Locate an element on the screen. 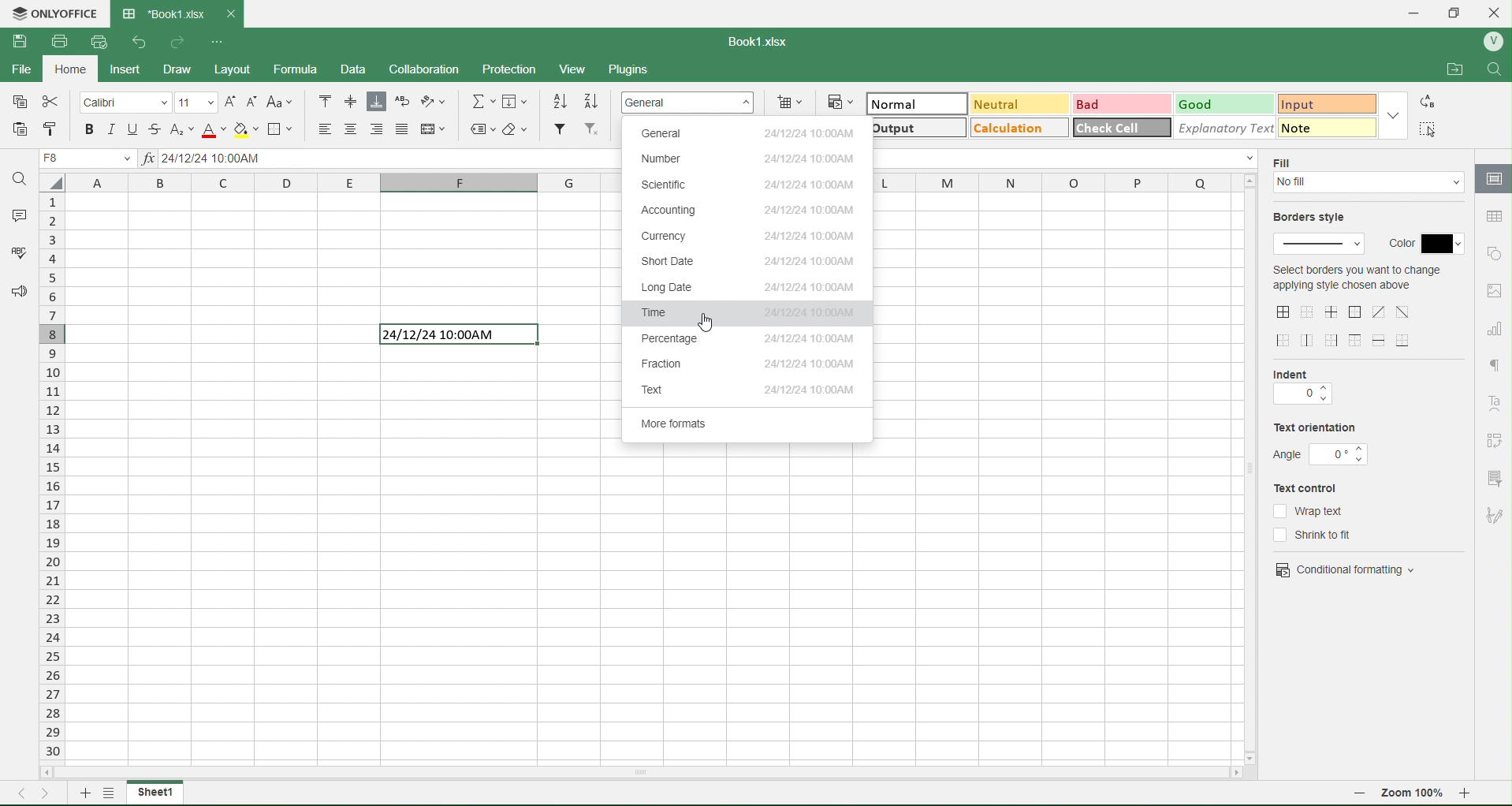 The image size is (1512, 806). select borders you wantto chnage applying style chosen above is located at coordinates (1356, 281).